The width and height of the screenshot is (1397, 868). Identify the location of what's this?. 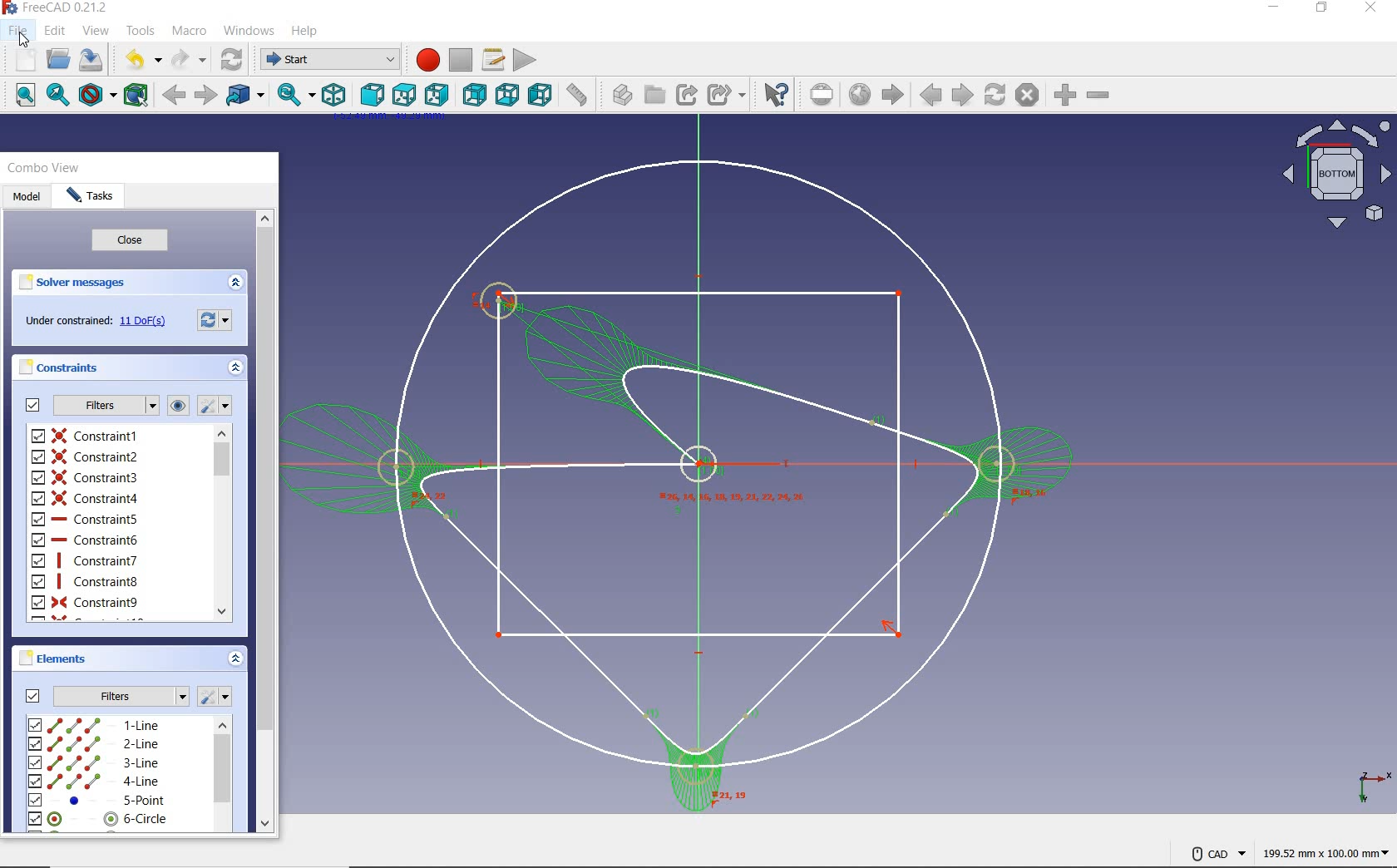
(775, 95).